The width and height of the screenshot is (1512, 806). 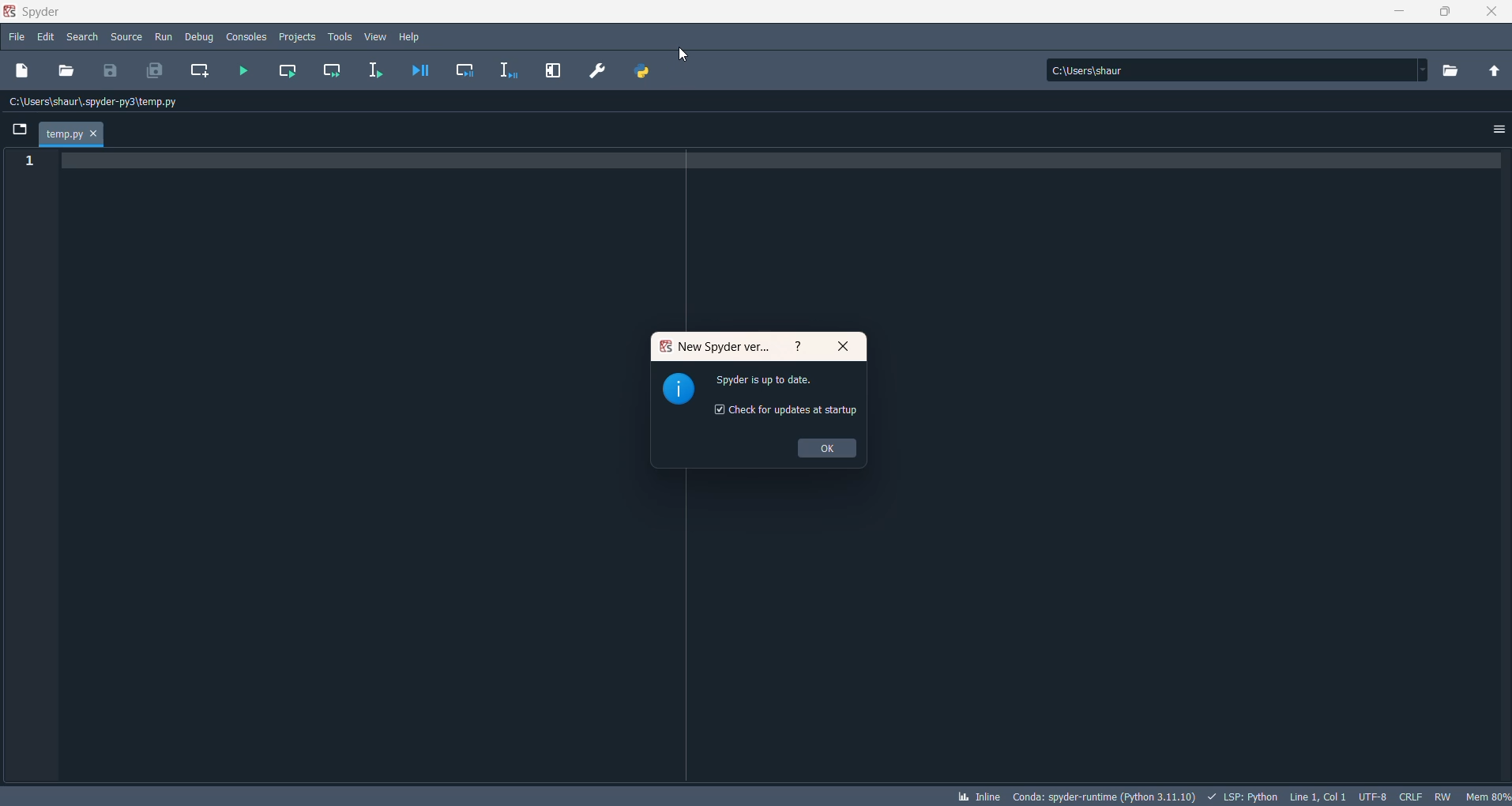 I want to click on debug file, so click(x=419, y=72).